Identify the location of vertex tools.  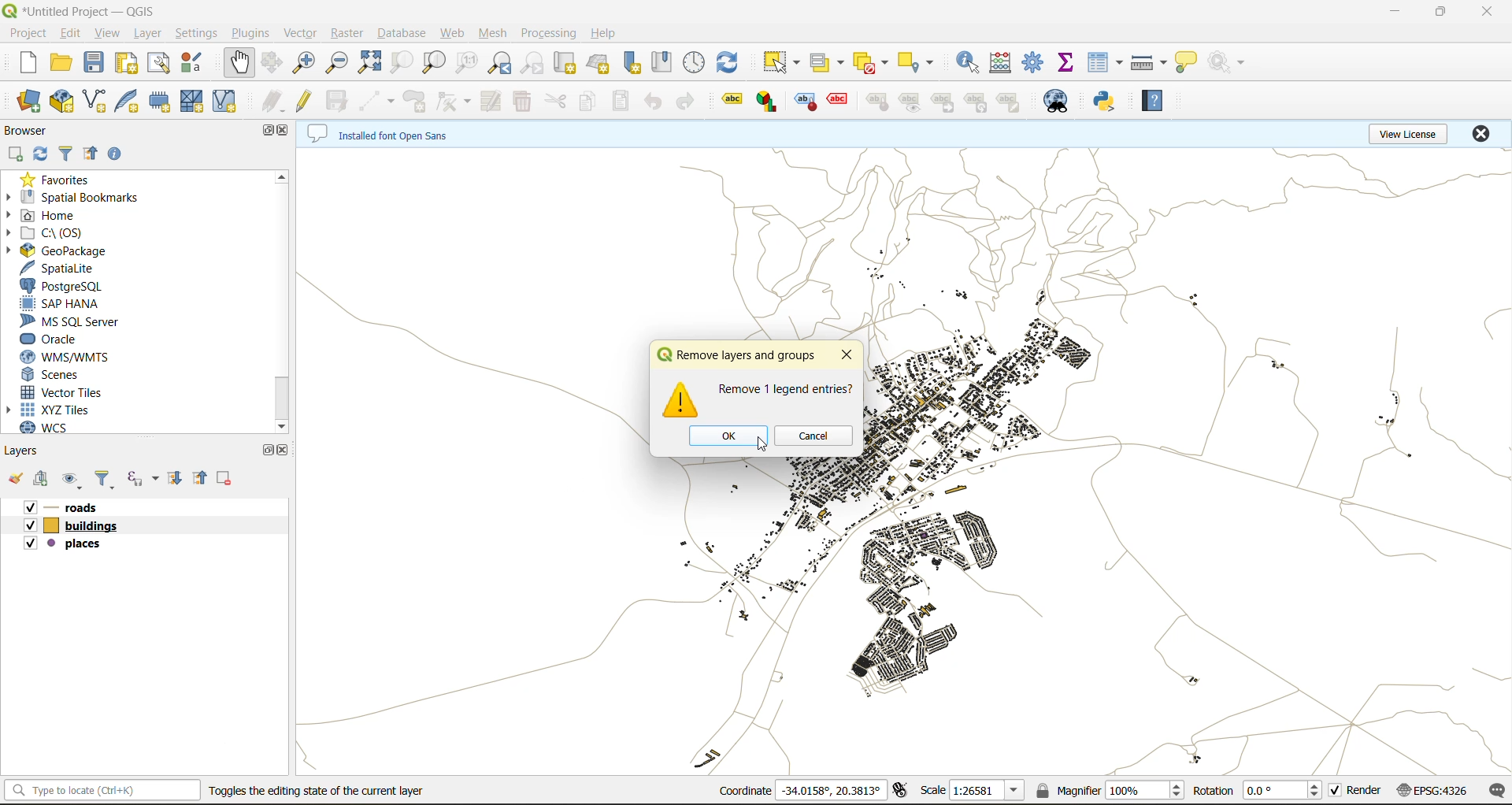
(454, 102).